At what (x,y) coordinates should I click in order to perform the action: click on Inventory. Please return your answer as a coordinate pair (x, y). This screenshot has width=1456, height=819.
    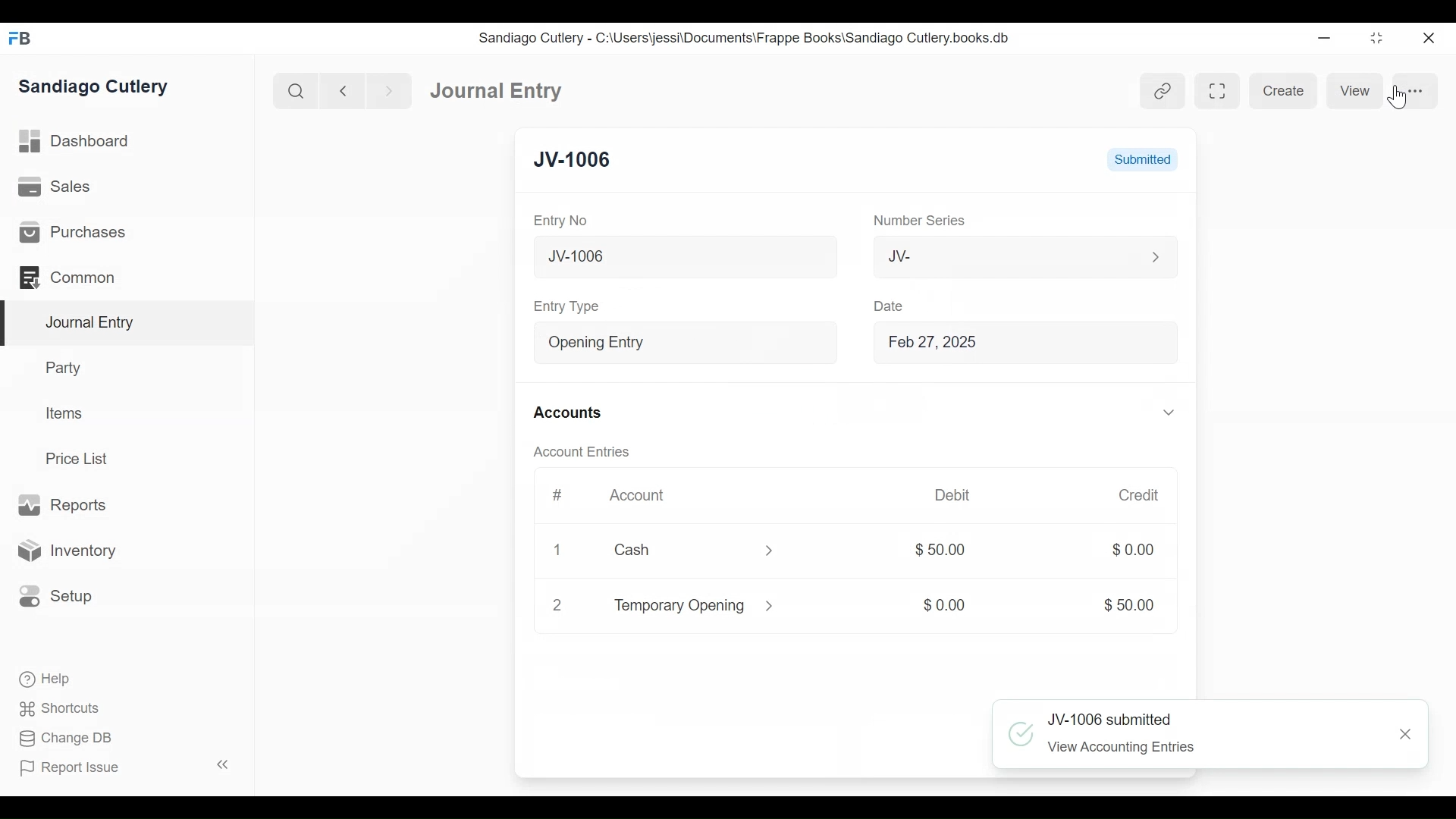
    Looking at the image, I should click on (65, 550).